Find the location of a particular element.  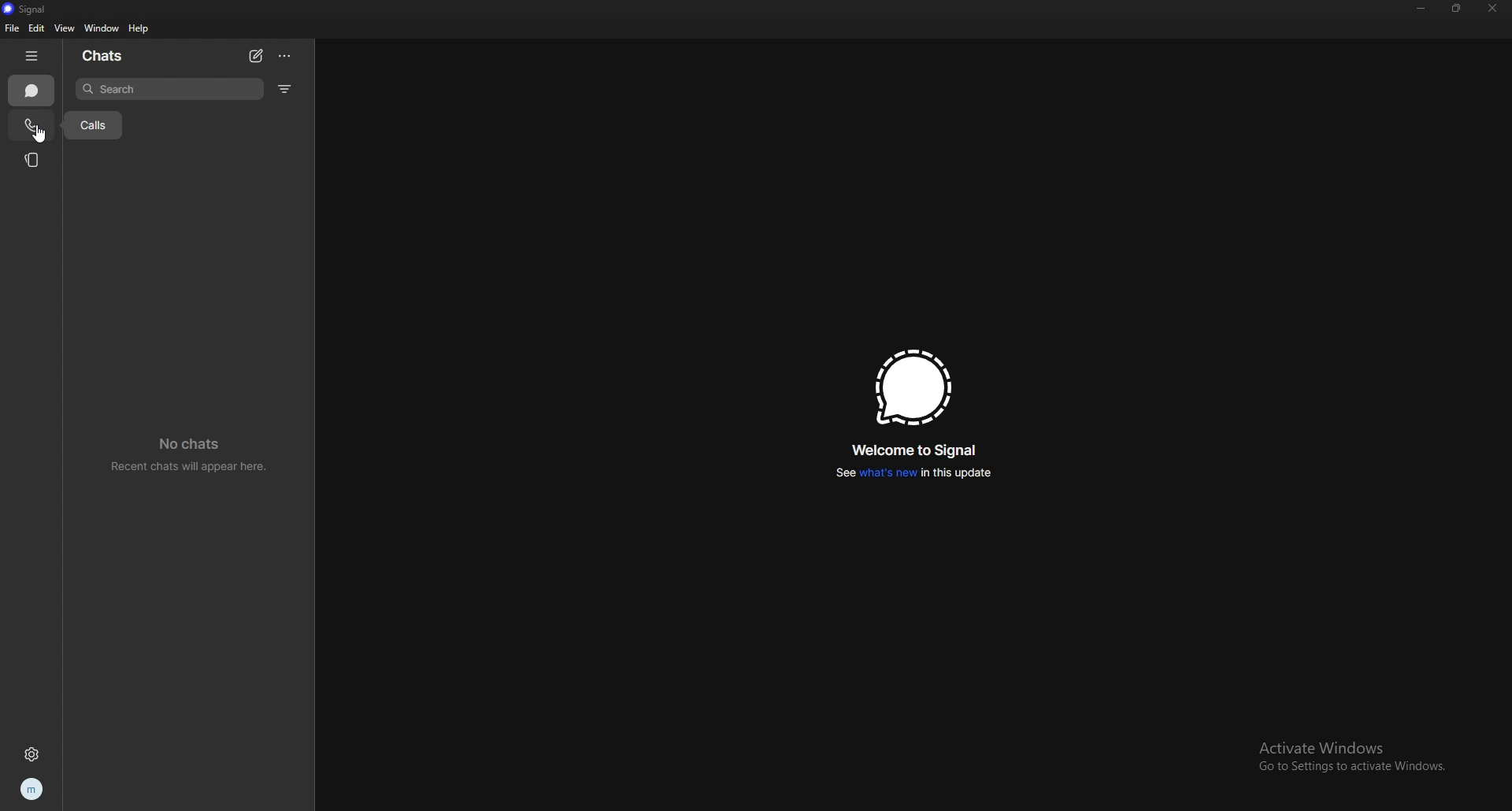

help is located at coordinates (139, 28).